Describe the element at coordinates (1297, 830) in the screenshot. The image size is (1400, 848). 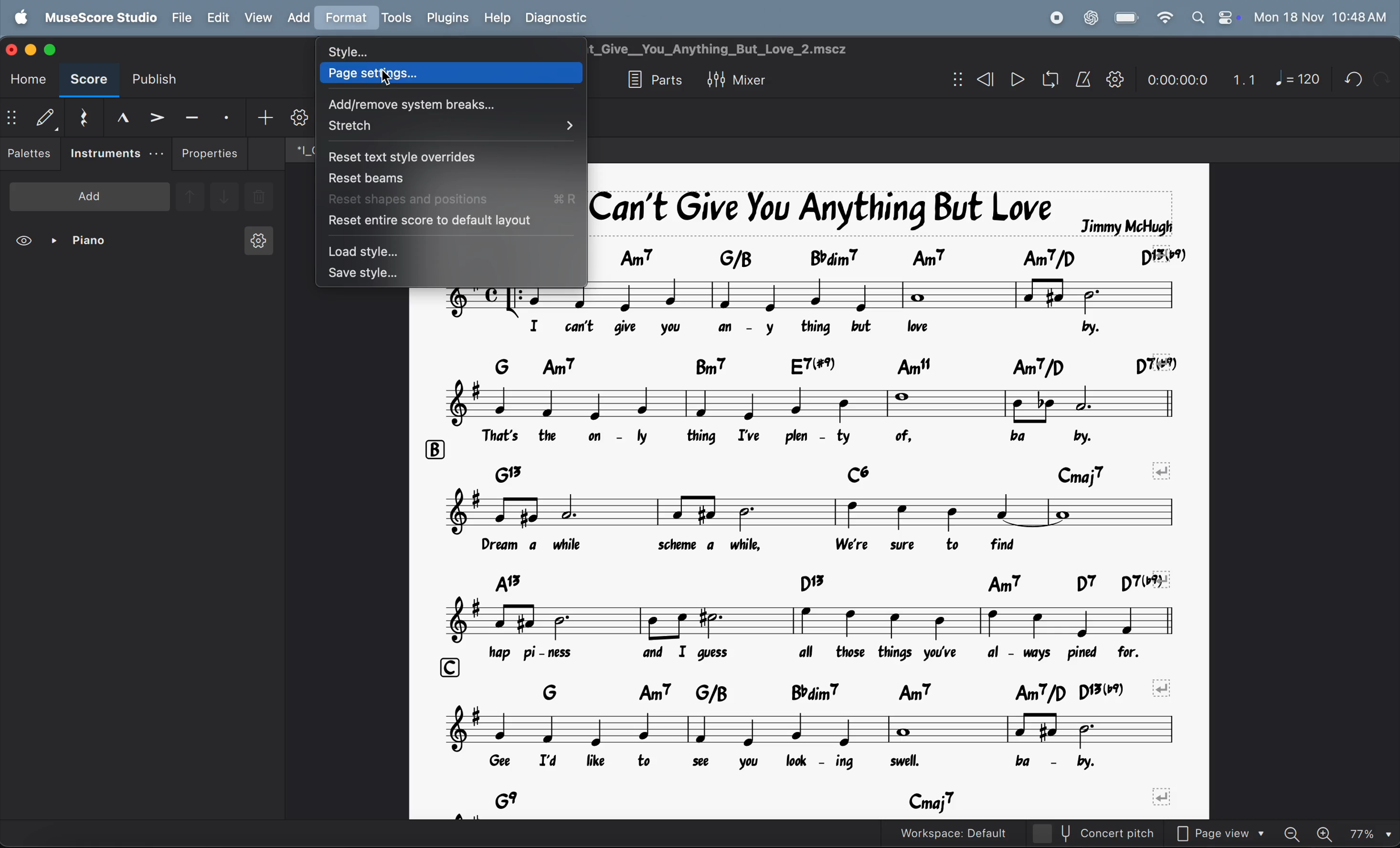
I see `zoom out` at that location.